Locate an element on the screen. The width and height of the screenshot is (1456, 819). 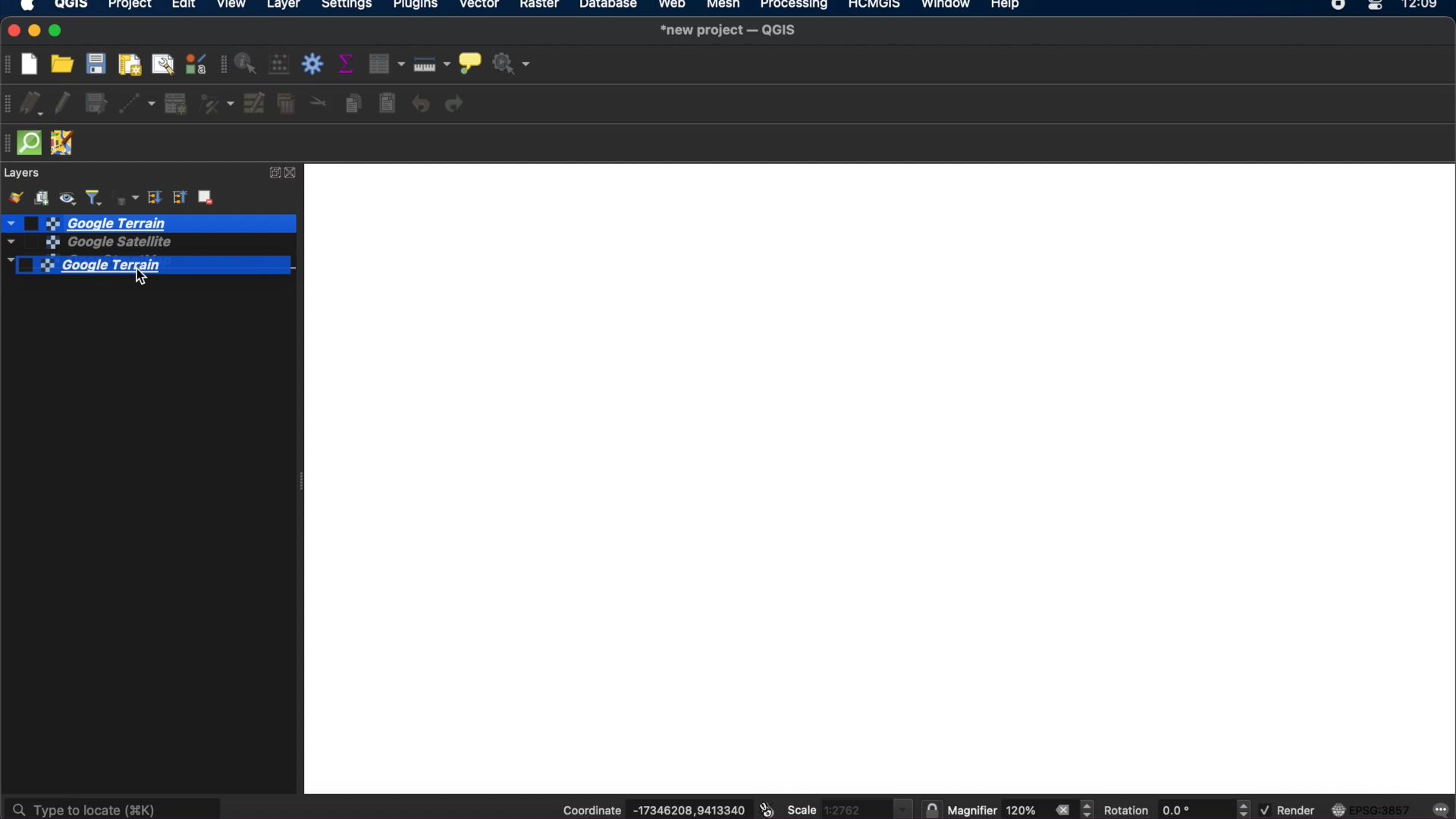
Google Terrain selected is located at coordinates (139, 270).